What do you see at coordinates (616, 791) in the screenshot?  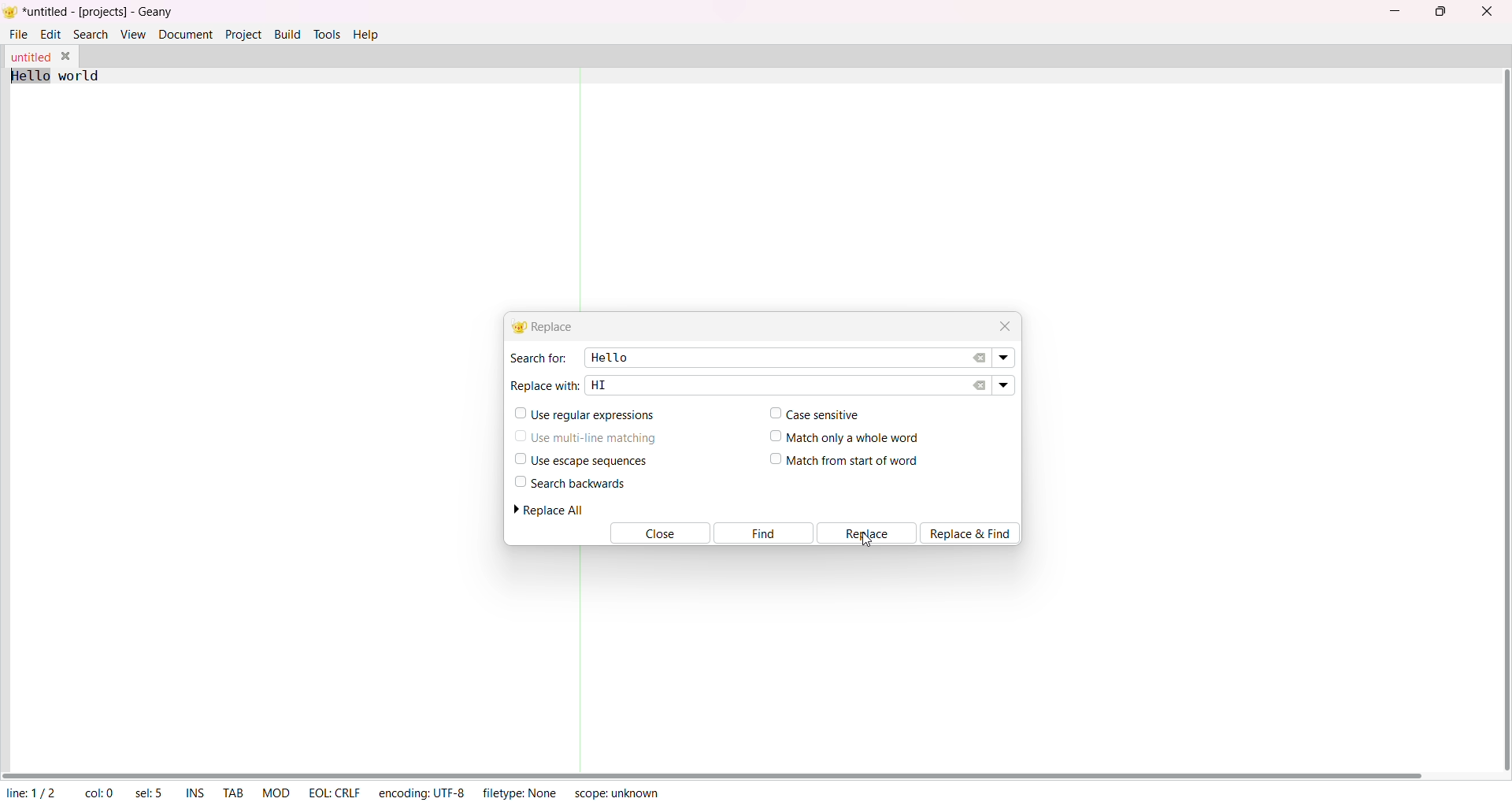 I see `Scope: unknown` at bounding box center [616, 791].